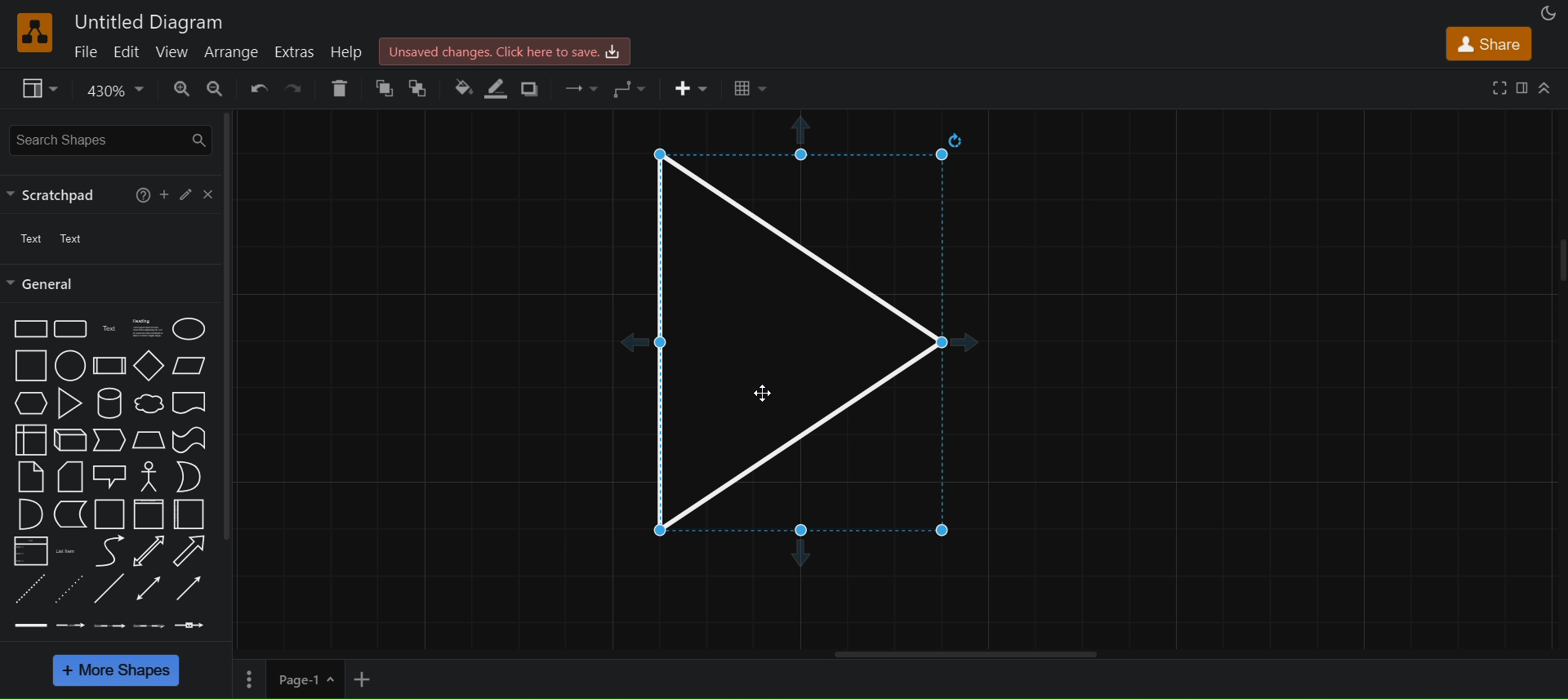 Image resolution: width=1568 pixels, height=699 pixels. Describe the element at coordinates (256, 87) in the screenshot. I see `undo` at that location.